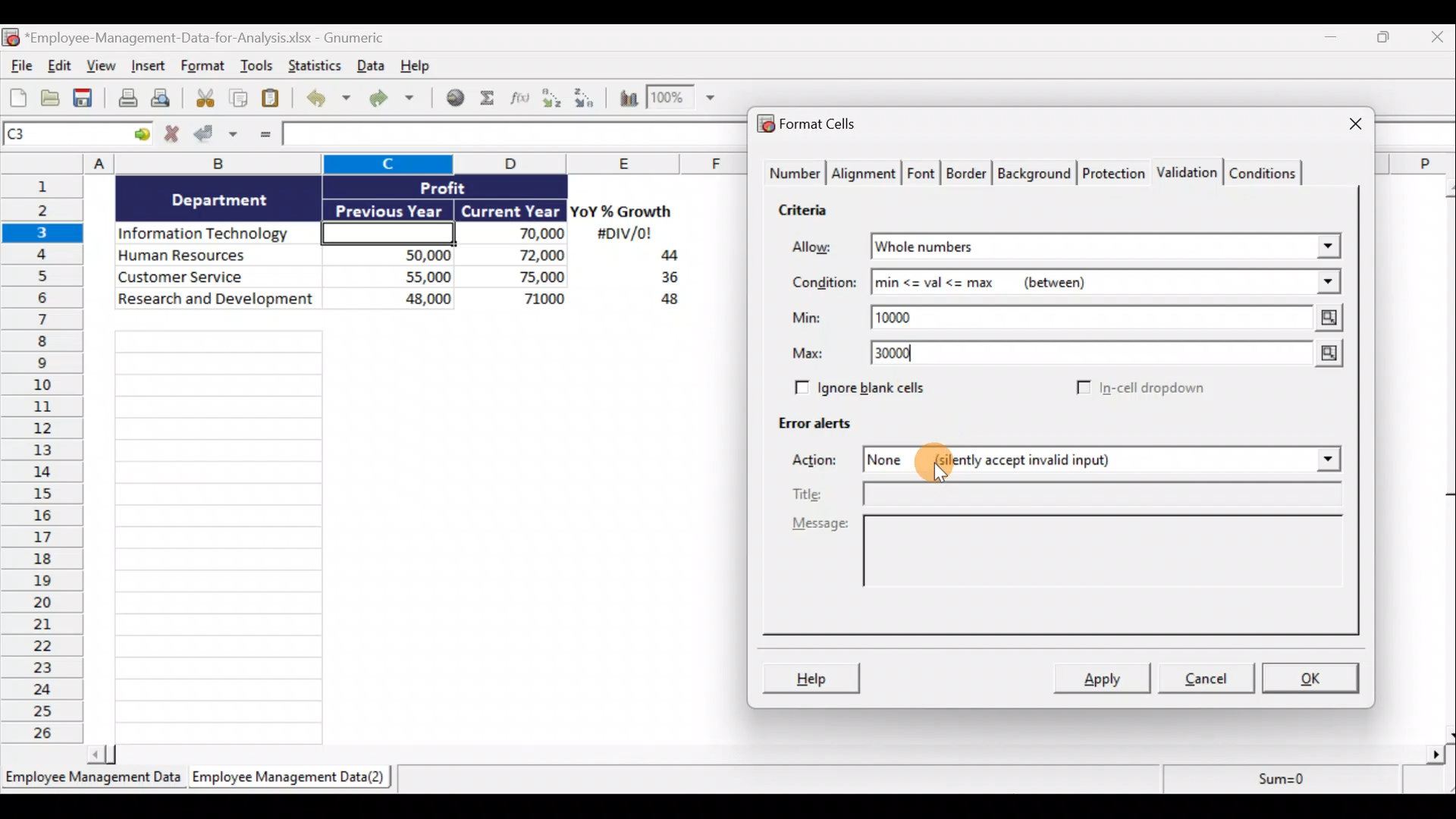 The image size is (1456, 819). What do you see at coordinates (865, 174) in the screenshot?
I see `Alignment` at bounding box center [865, 174].